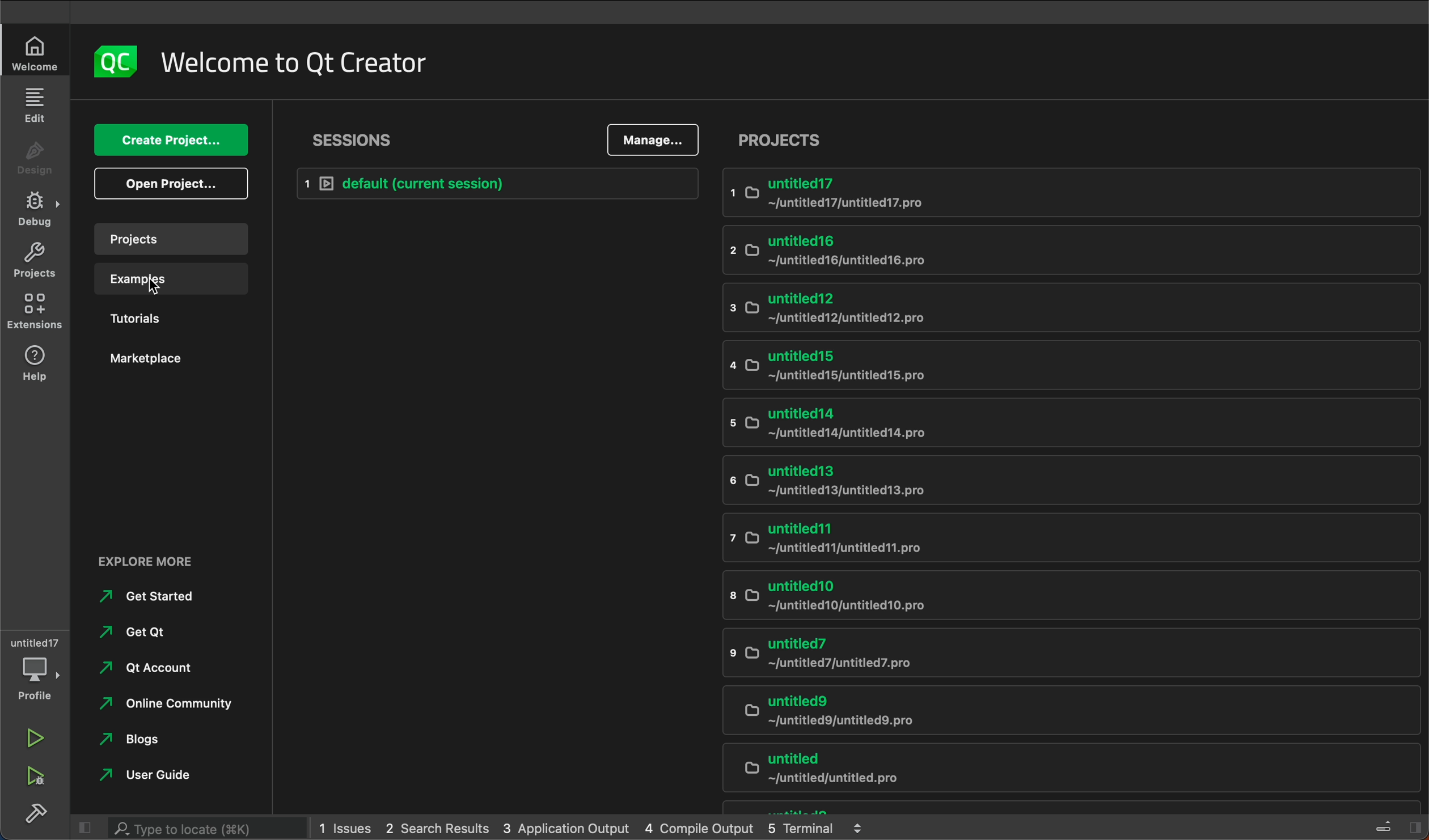 The width and height of the screenshot is (1429, 840). What do you see at coordinates (146, 740) in the screenshot?
I see `blogs` at bounding box center [146, 740].